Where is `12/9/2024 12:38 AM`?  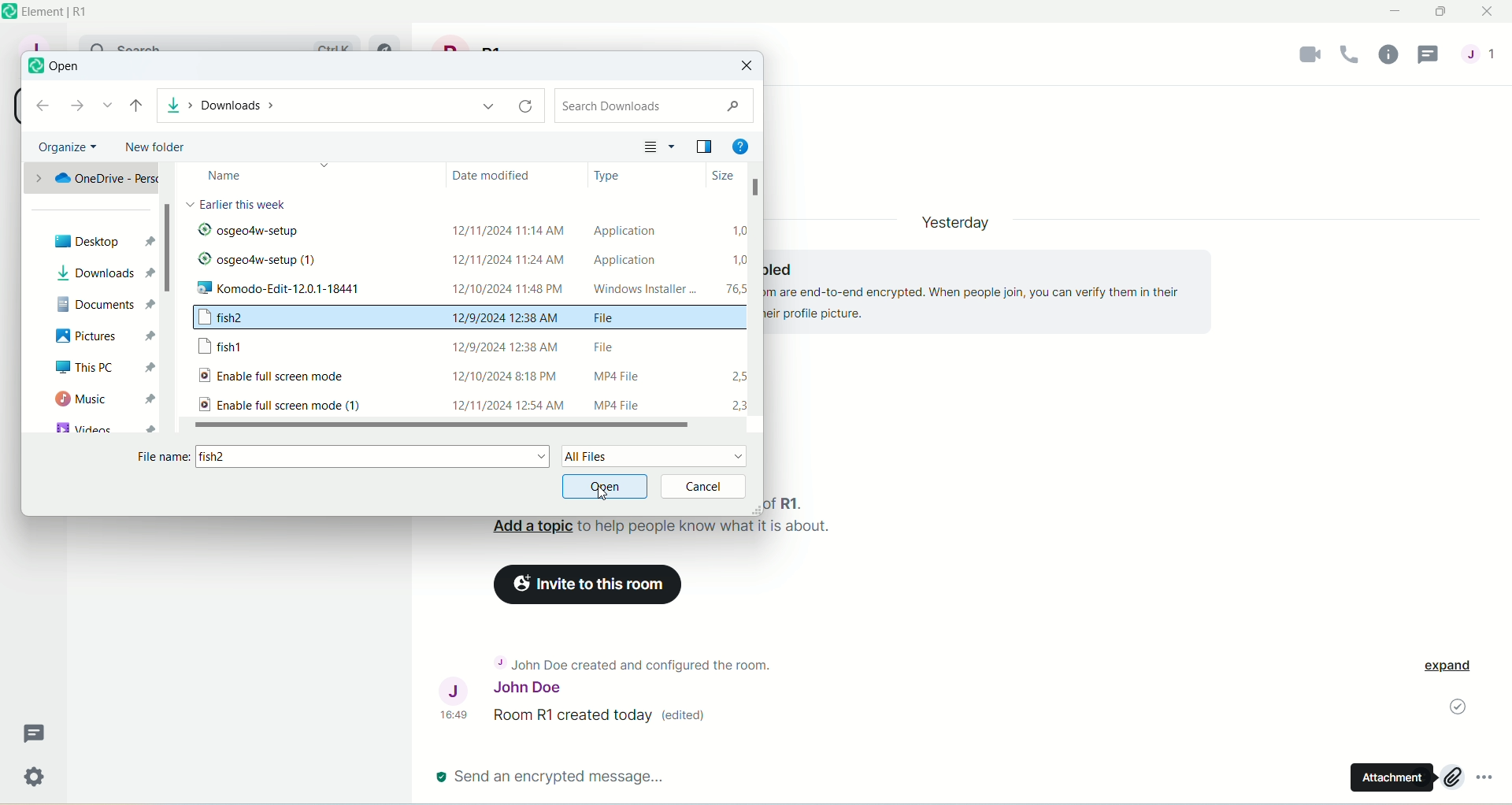
12/9/2024 12:38 AM is located at coordinates (506, 344).